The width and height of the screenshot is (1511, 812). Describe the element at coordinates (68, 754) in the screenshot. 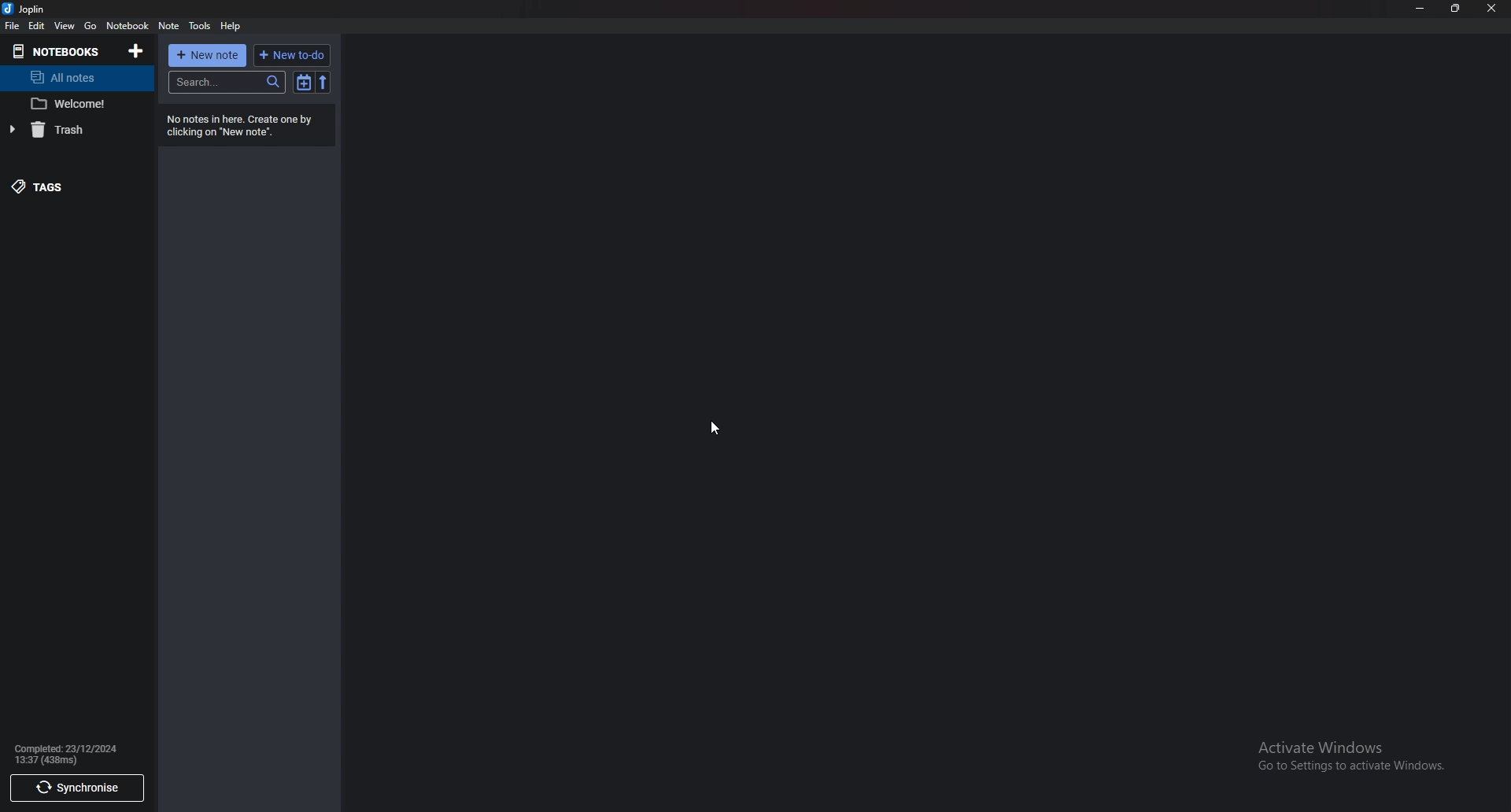

I see `Info` at that location.